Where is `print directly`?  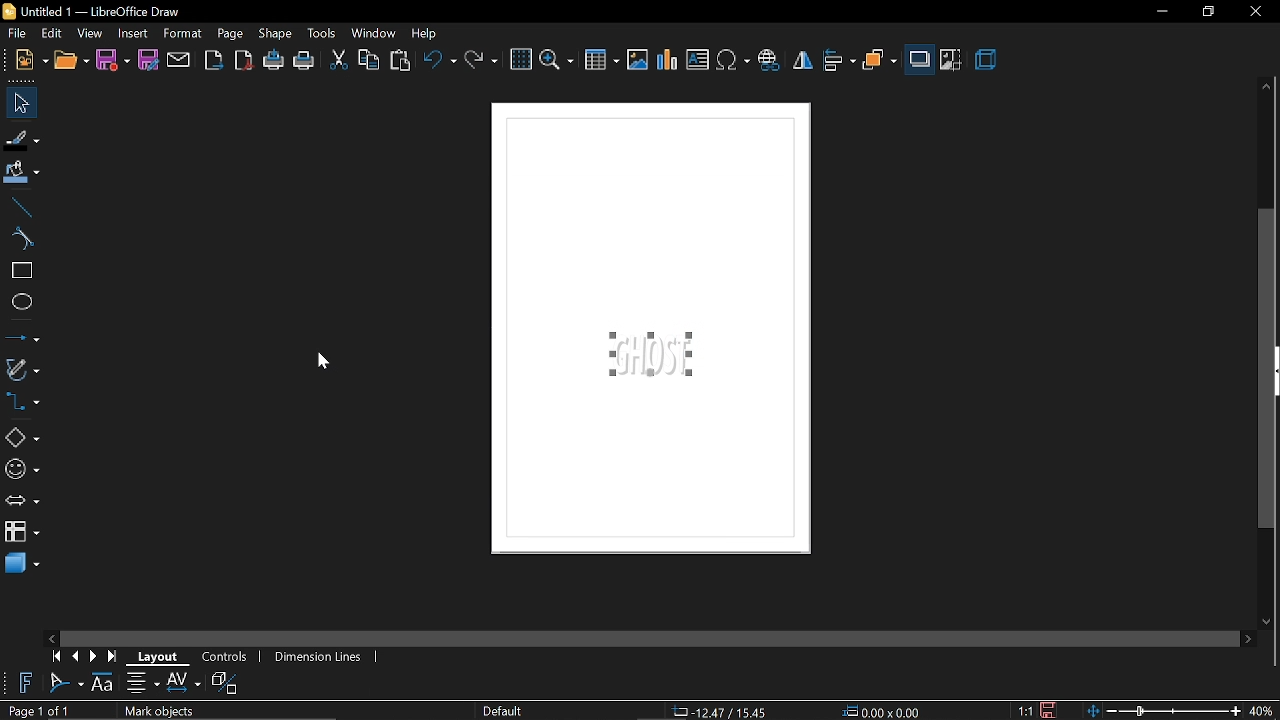 print directly is located at coordinates (272, 61).